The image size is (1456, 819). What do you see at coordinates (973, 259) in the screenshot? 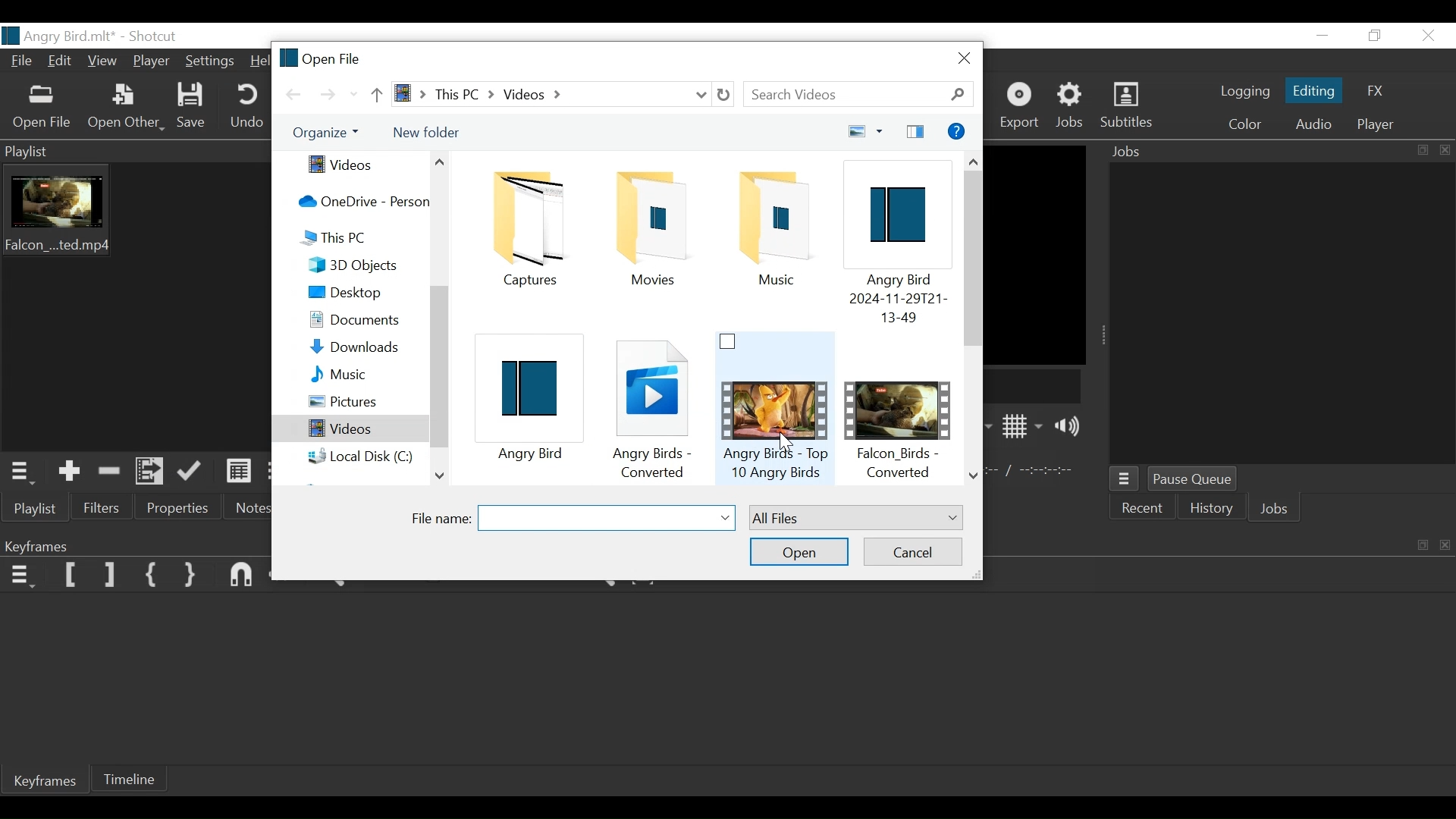
I see `Vertical Scroll bar` at bounding box center [973, 259].